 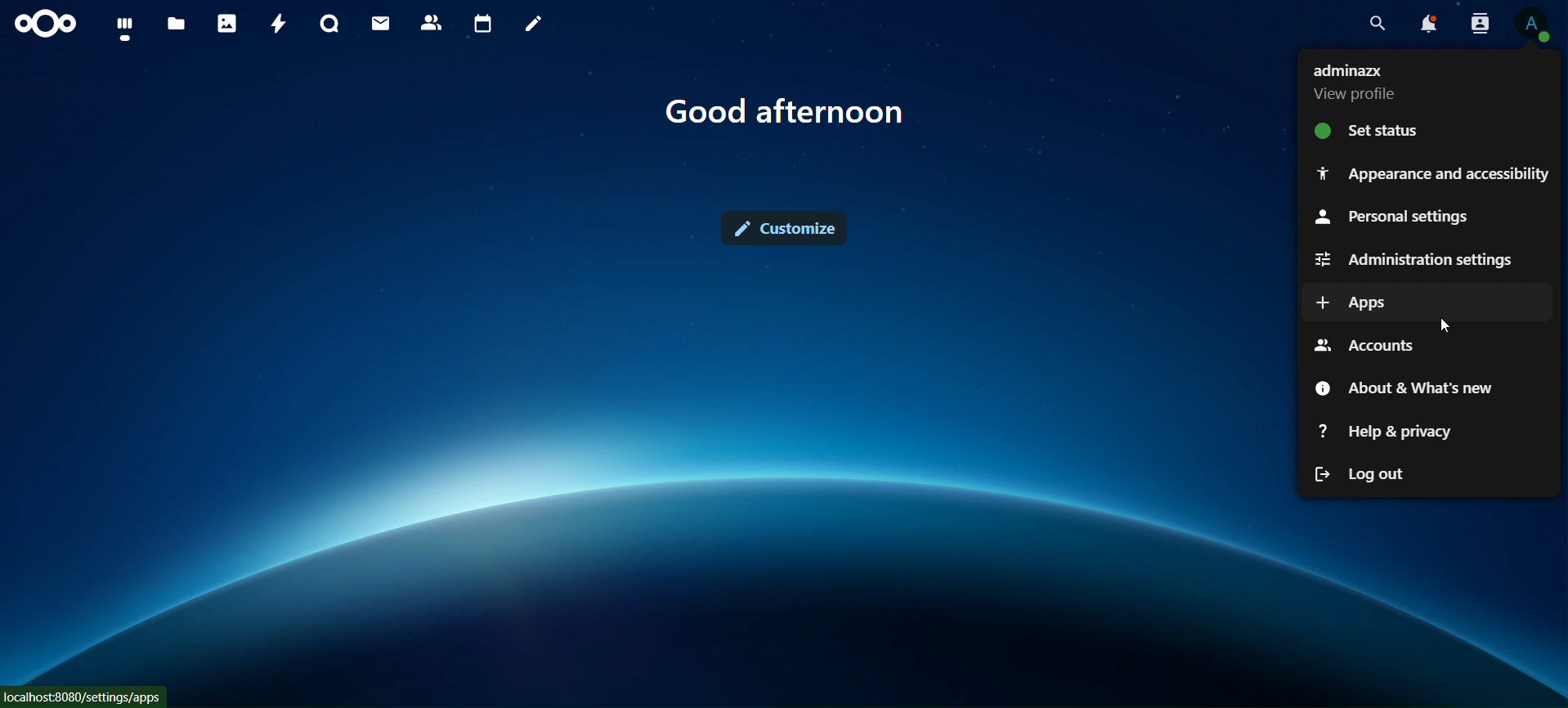 I want to click on log out, so click(x=1369, y=469).